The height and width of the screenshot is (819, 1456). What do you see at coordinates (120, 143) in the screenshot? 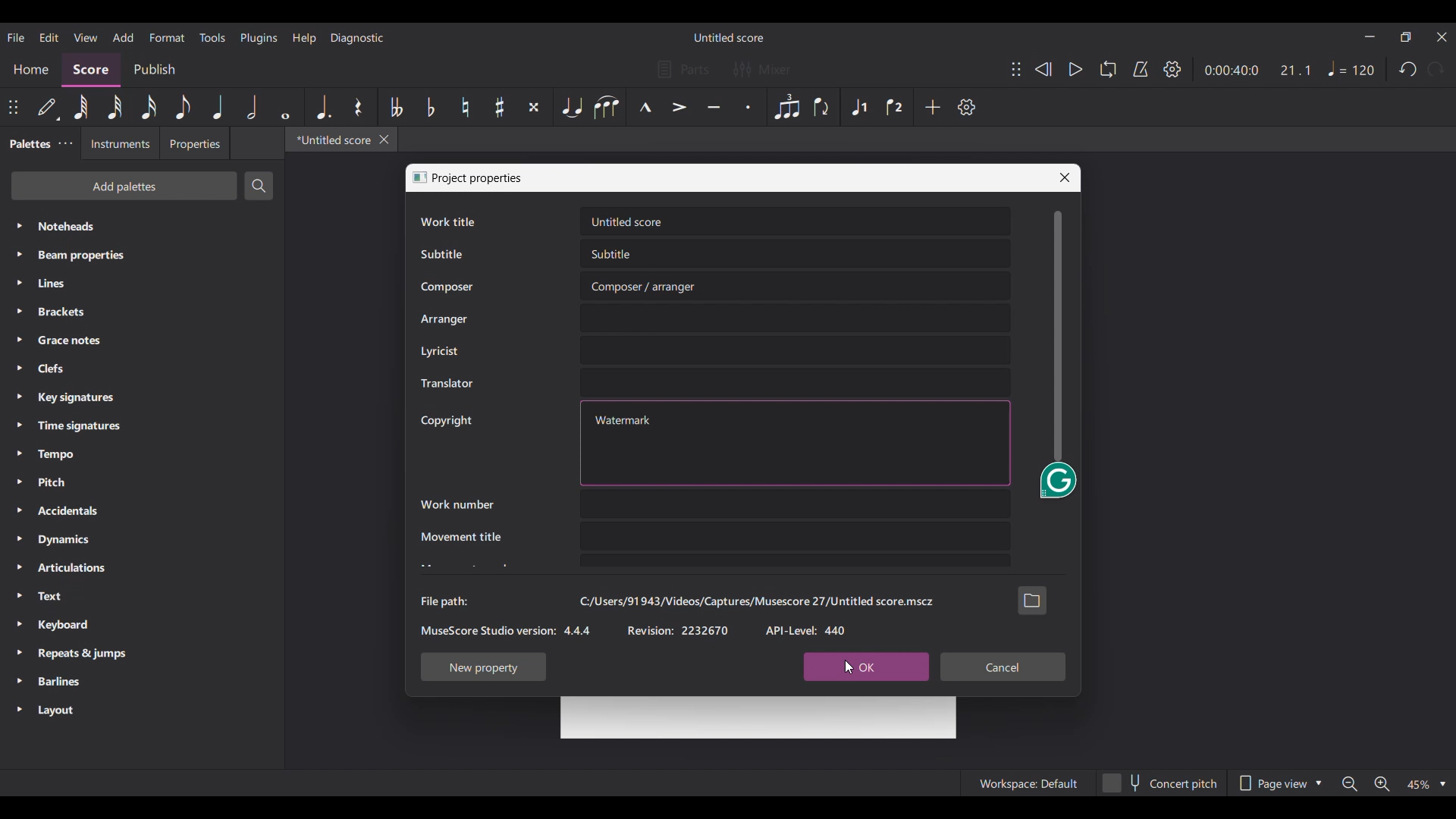
I see `Instruments` at bounding box center [120, 143].